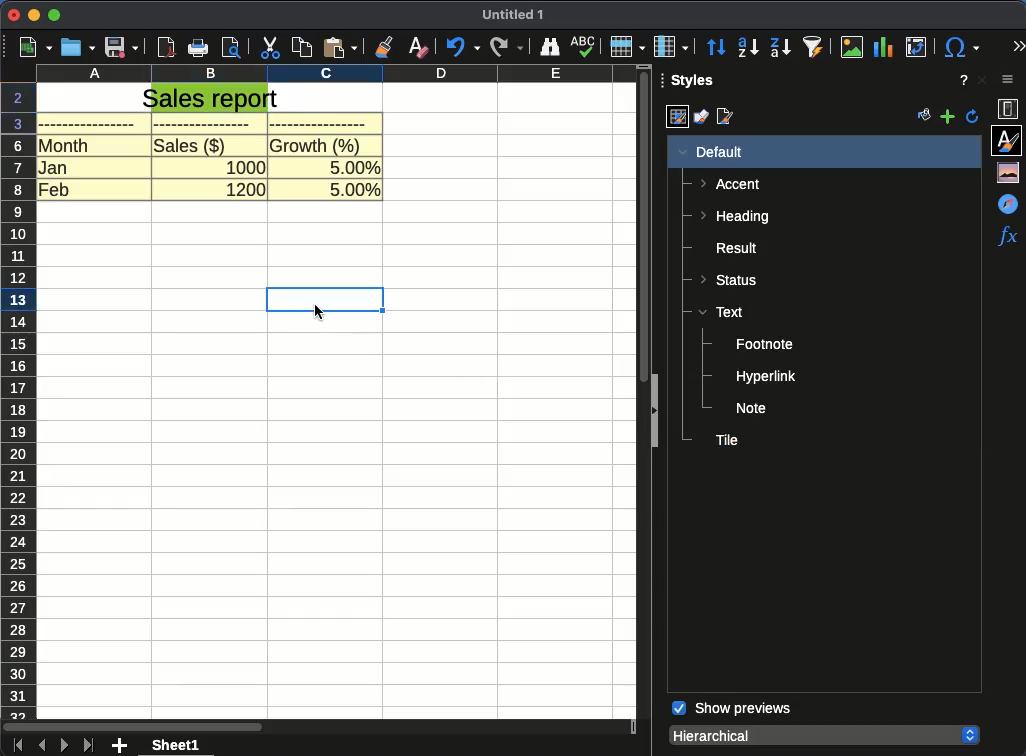 The height and width of the screenshot is (756, 1026). I want to click on feb, so click(55, 189).